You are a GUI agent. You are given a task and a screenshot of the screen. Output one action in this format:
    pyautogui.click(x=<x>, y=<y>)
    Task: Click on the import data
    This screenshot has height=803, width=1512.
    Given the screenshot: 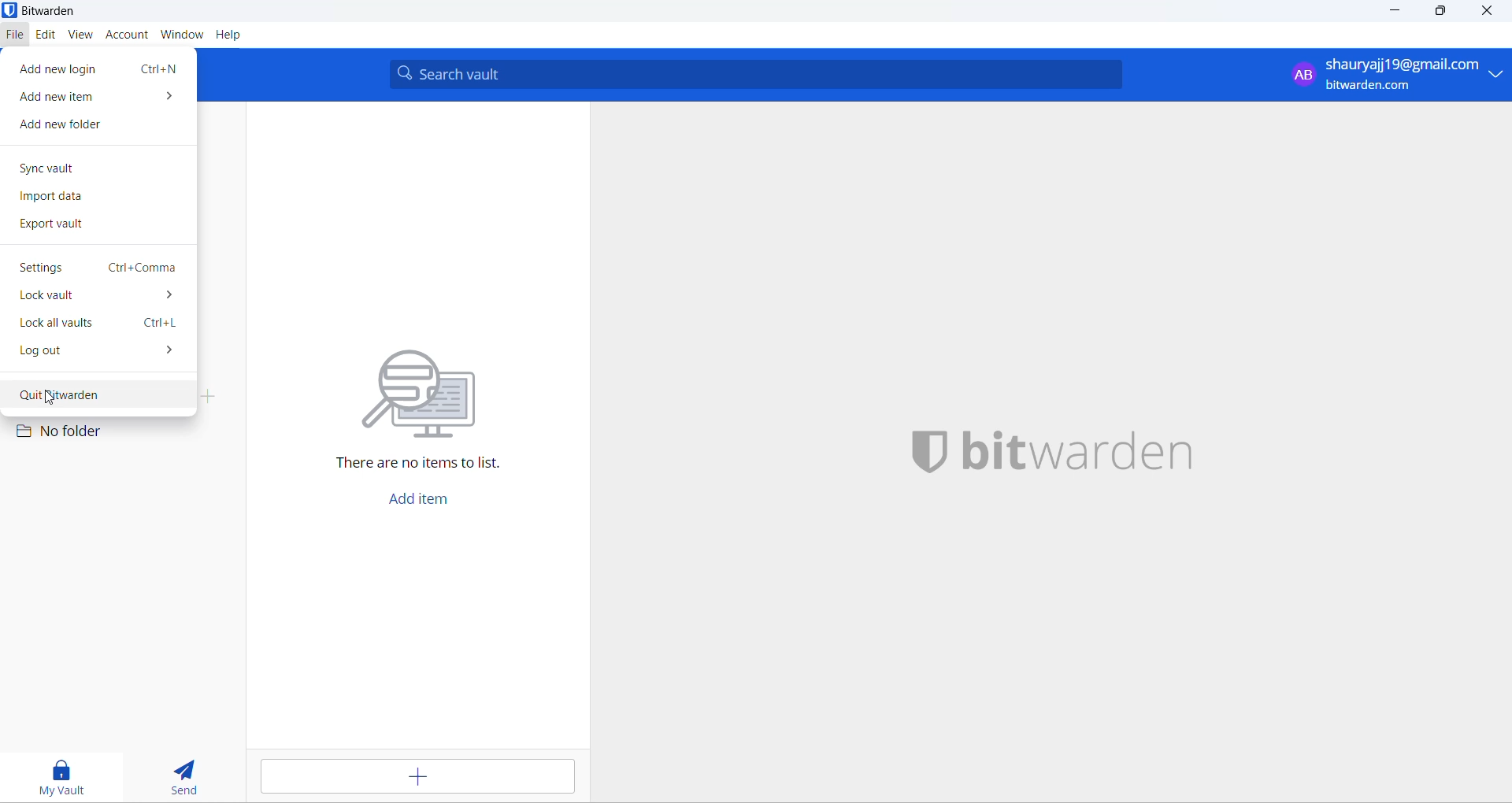 What is the action you would take?
    pyautogui.click(x=99, y=197)
    